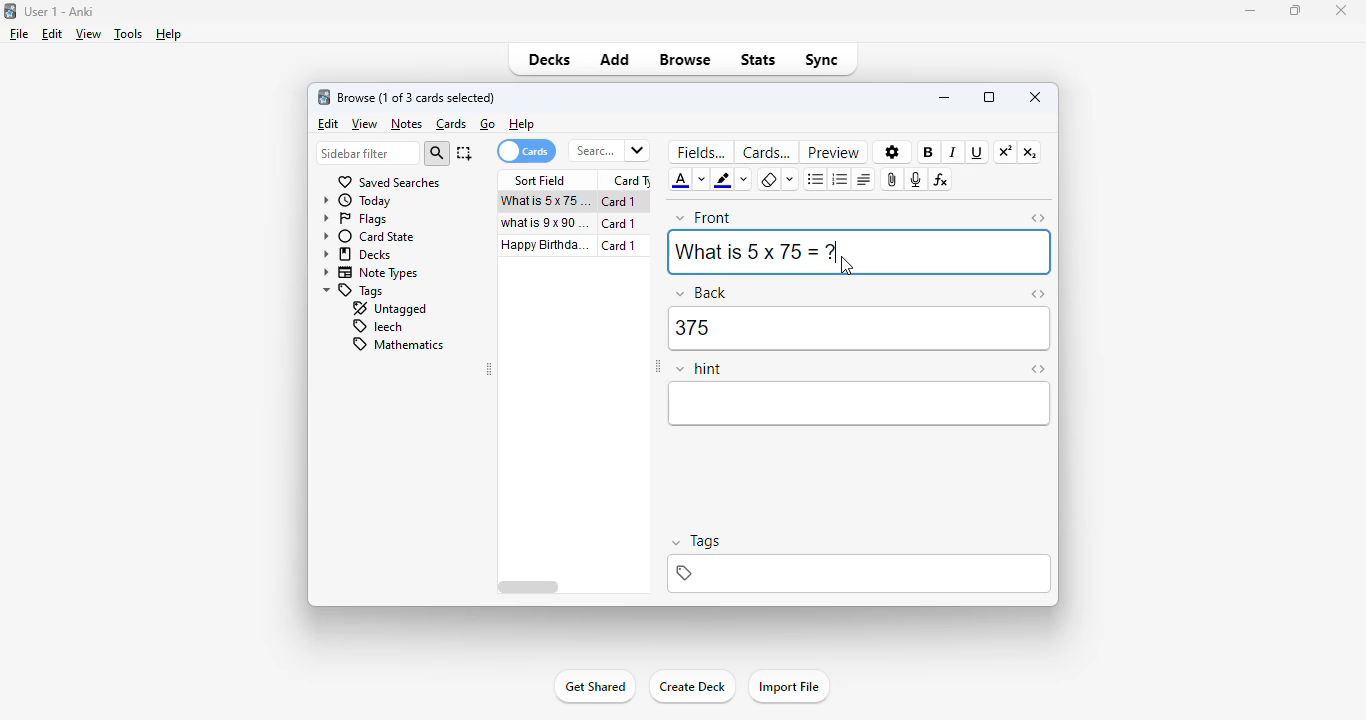 Image resolution: width=1366 pixels, height=720 pixels. Describe the element at coordinates (860, 404) in the screenshot. I see `editor` at that location.